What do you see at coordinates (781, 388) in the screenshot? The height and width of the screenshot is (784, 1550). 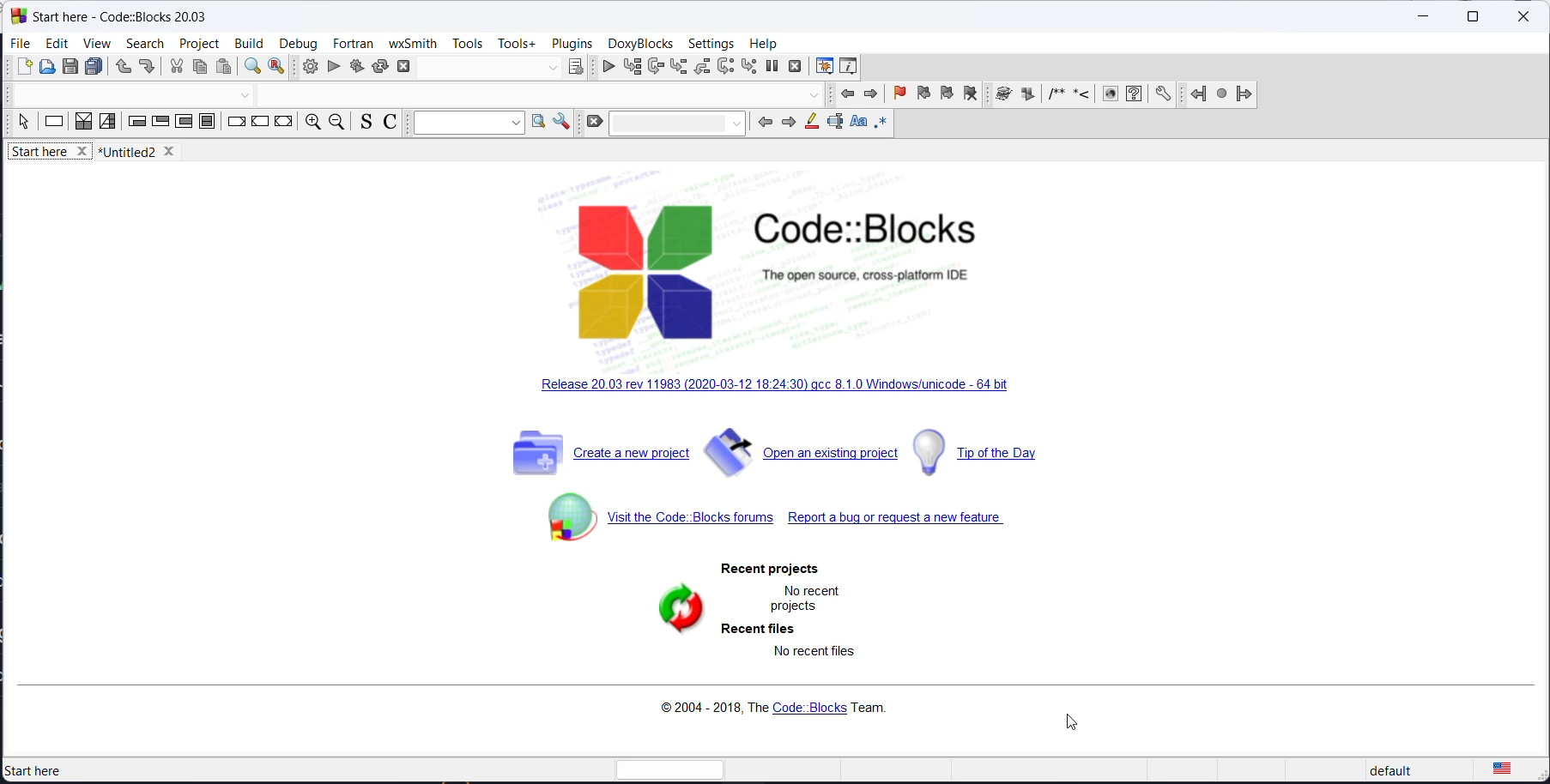 I see `new release` at bounding box center [781, 388].